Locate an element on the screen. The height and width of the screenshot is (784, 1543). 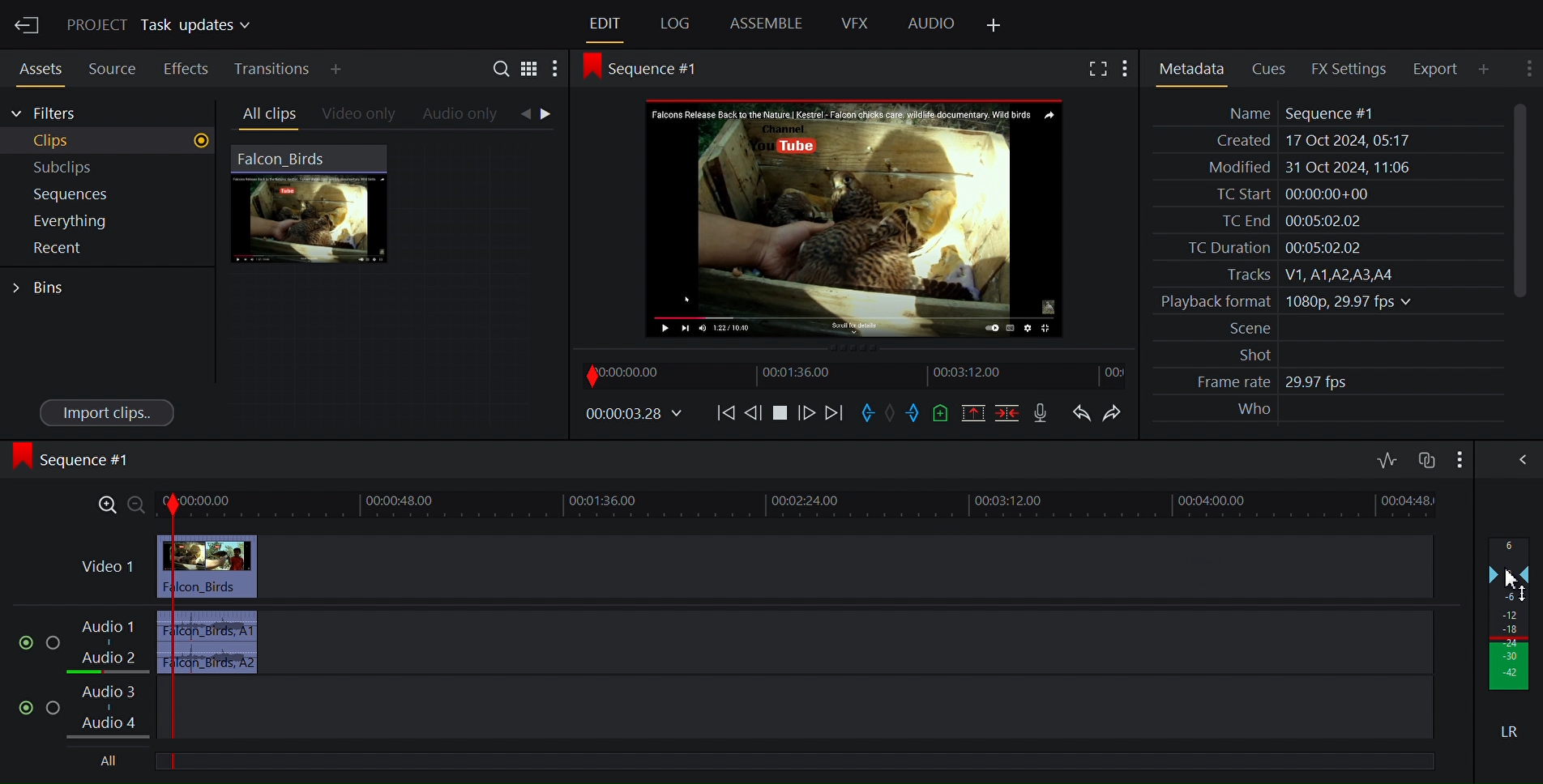
Timeline Indicator is located at coordinates (175, 630).